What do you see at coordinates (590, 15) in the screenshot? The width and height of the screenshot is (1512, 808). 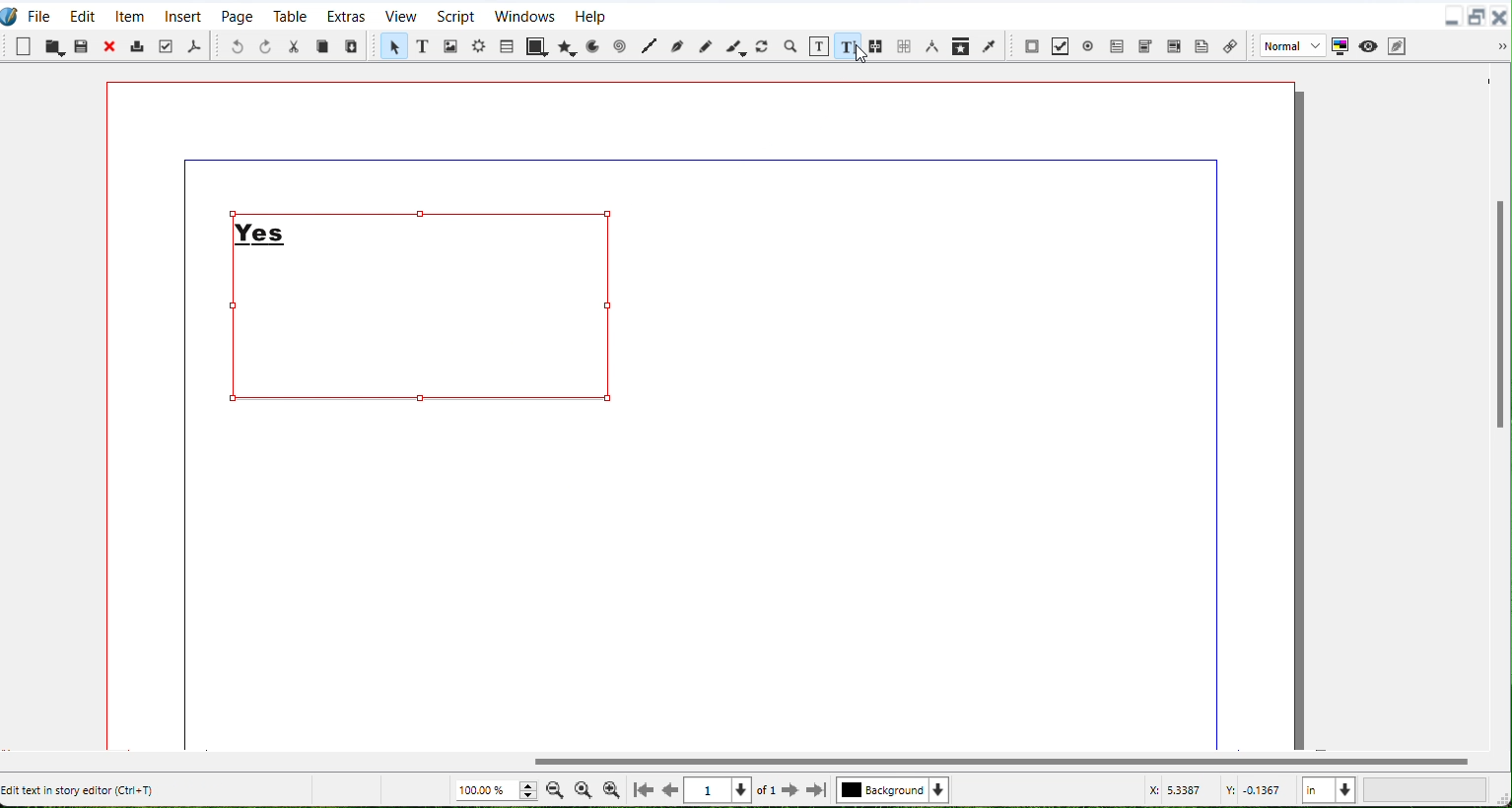 I see `Help` at bounding box center [590, 15].